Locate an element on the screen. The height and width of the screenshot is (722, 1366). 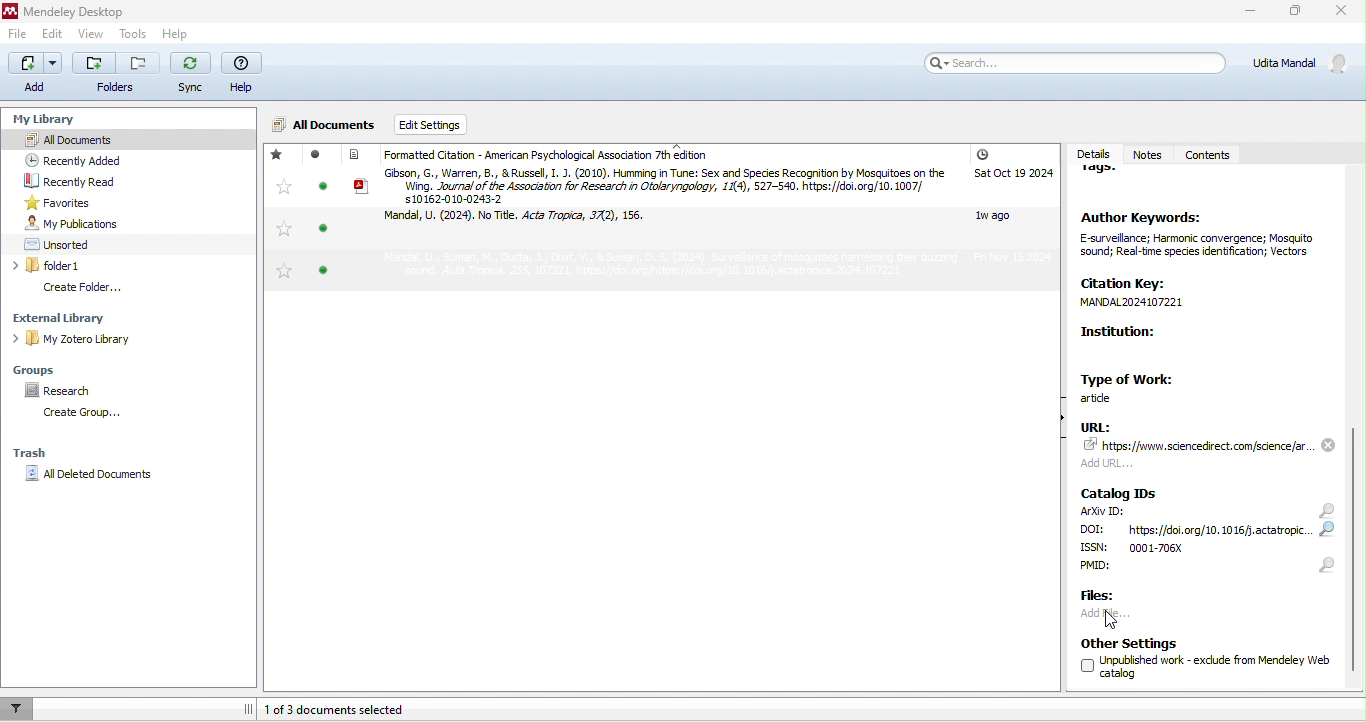
tags is located at coordinates (1107, 176).